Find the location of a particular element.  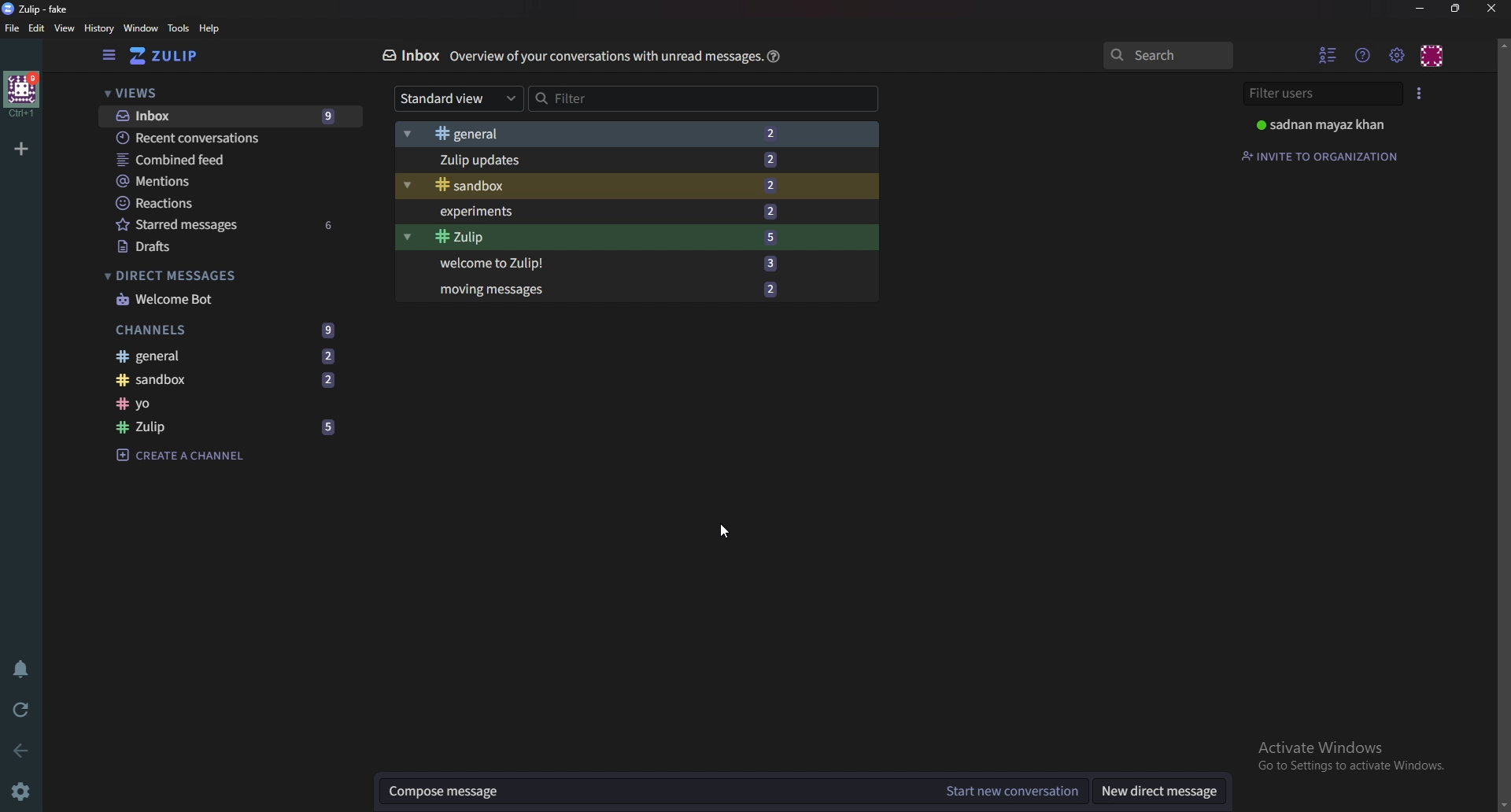

user list style is located at coordinates (1419, 93).